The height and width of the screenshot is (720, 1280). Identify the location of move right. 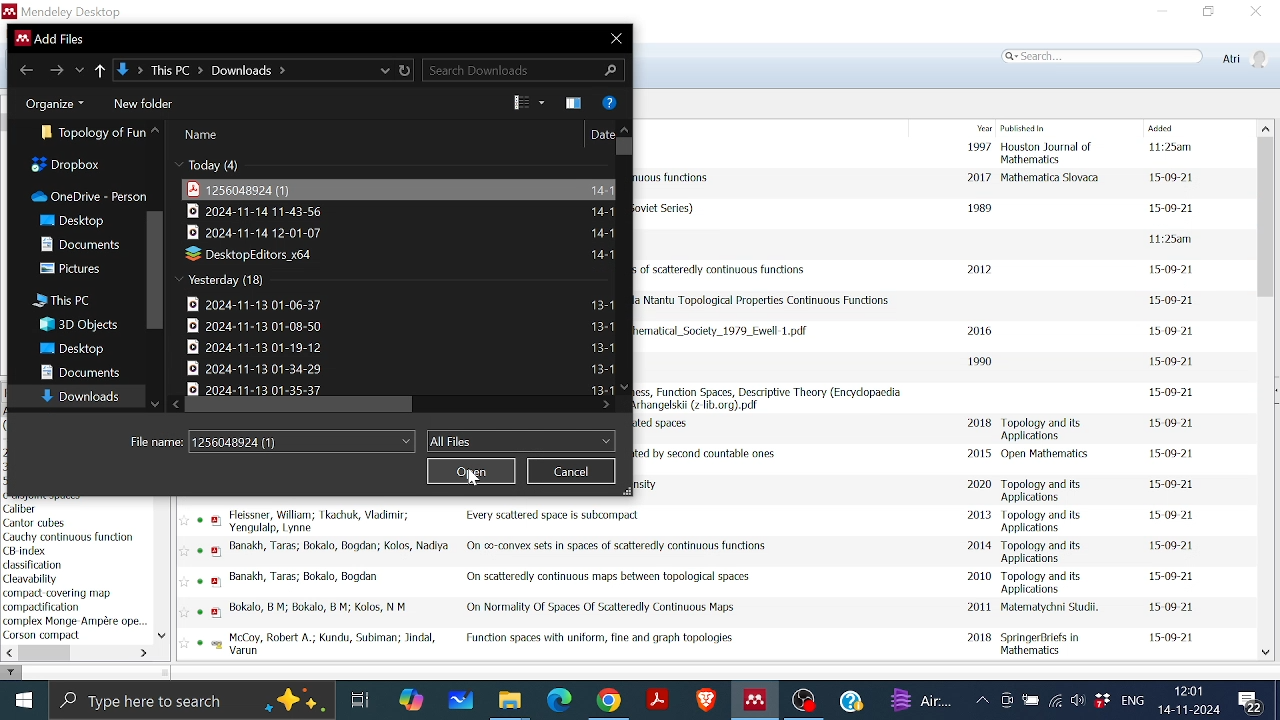
(142, 654).